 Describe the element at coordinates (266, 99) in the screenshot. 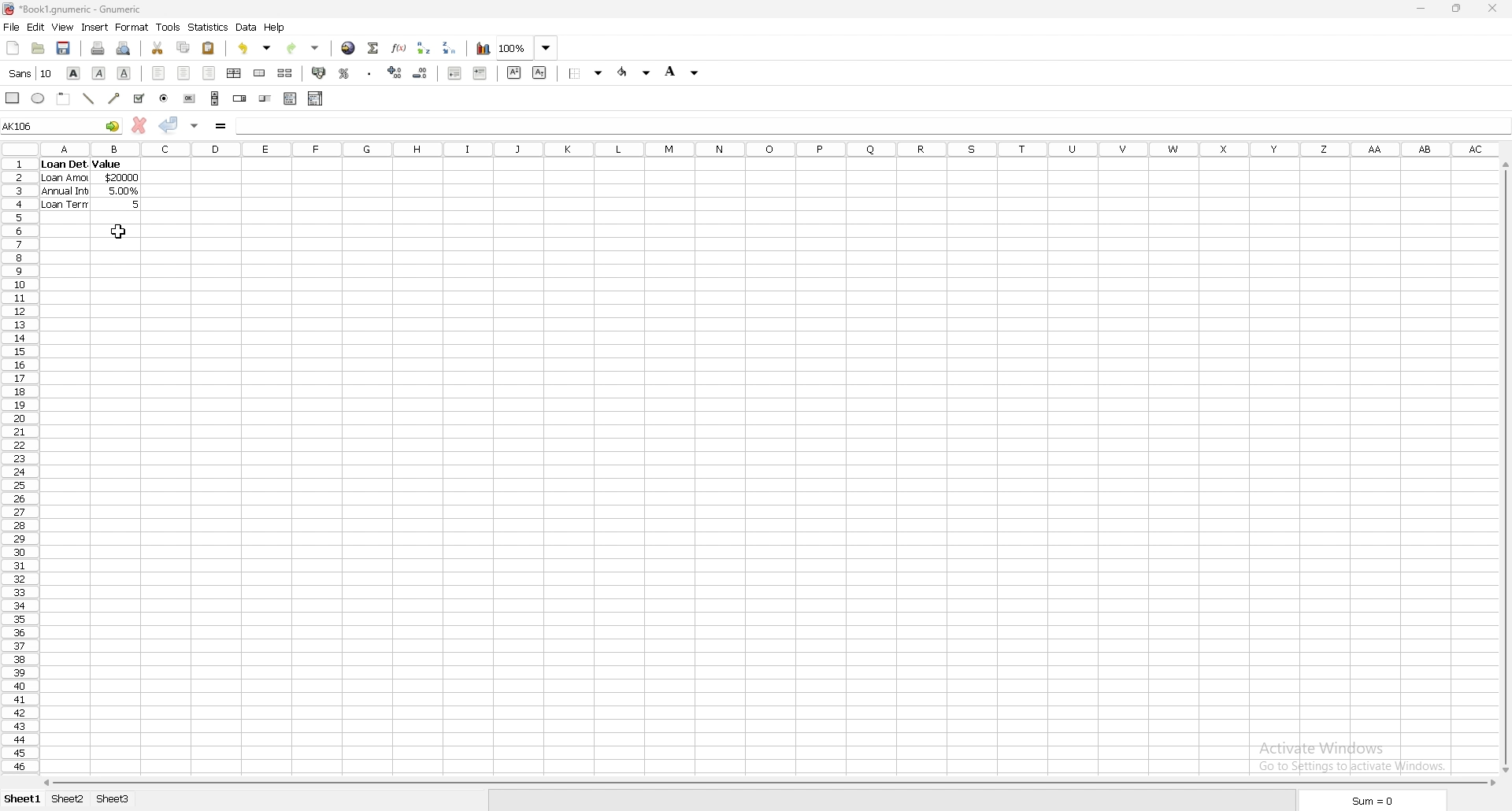

I see `slider` at that location.